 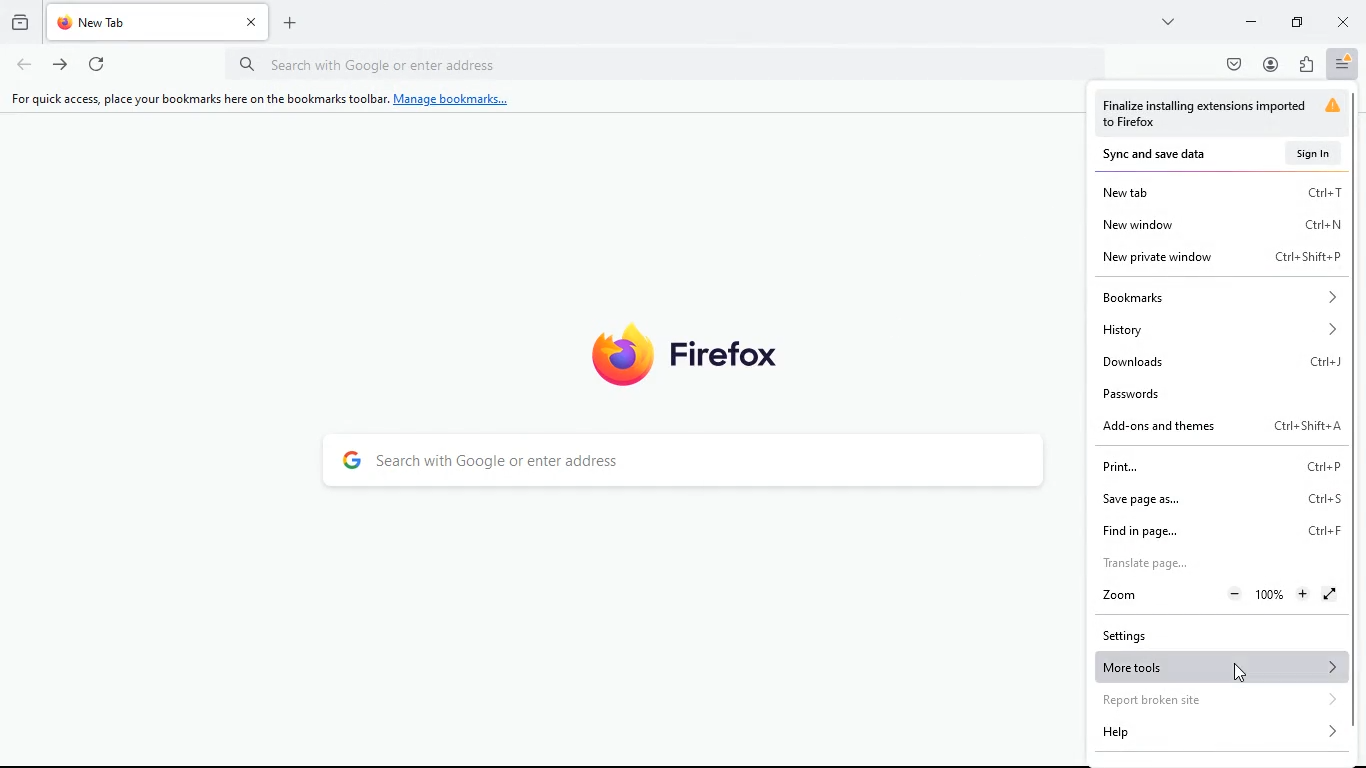 I want to click on more, so click(x=1165, y=21).